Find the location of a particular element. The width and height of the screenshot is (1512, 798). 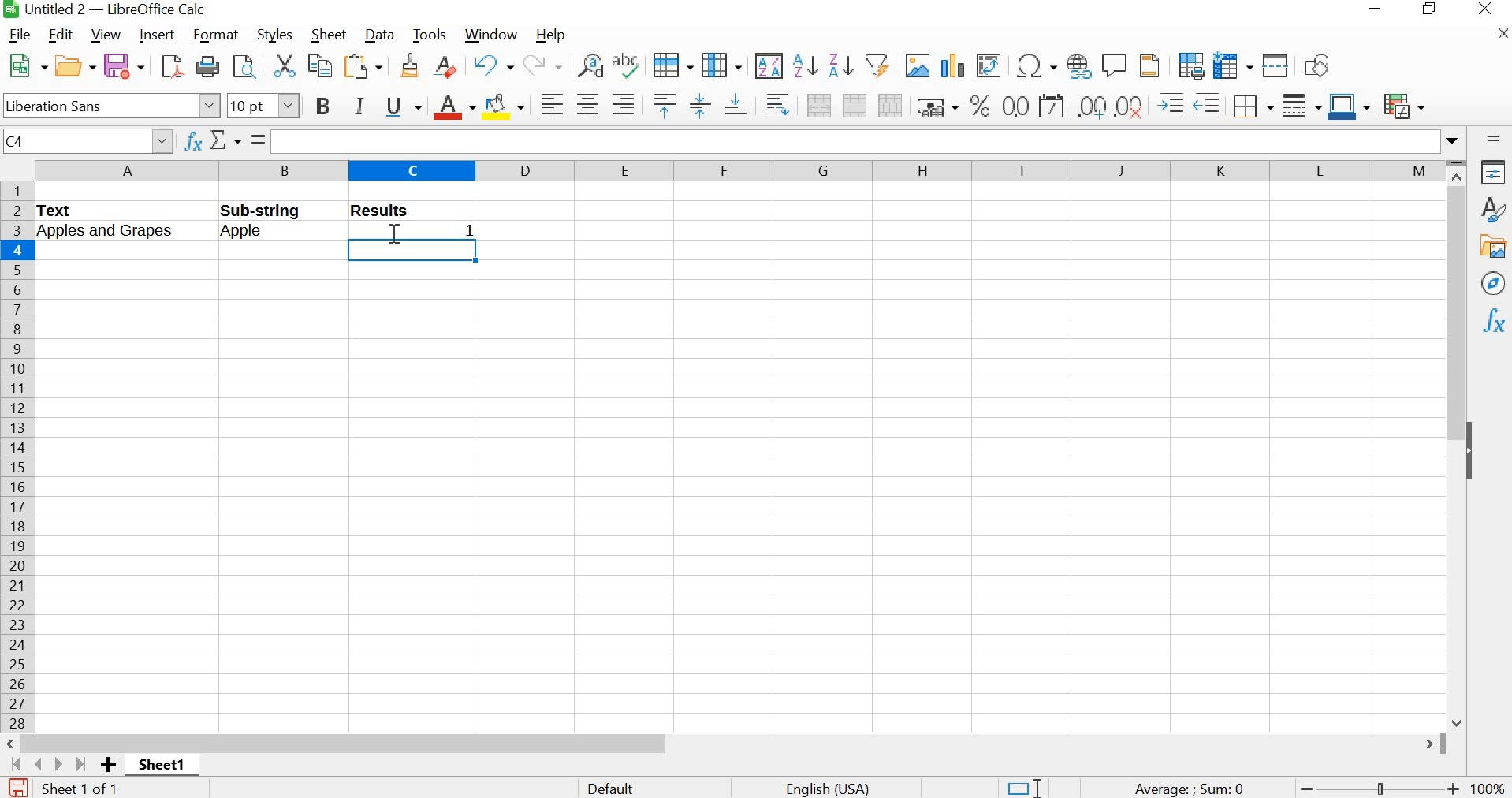

border style is located at coordinates (1300, 104).